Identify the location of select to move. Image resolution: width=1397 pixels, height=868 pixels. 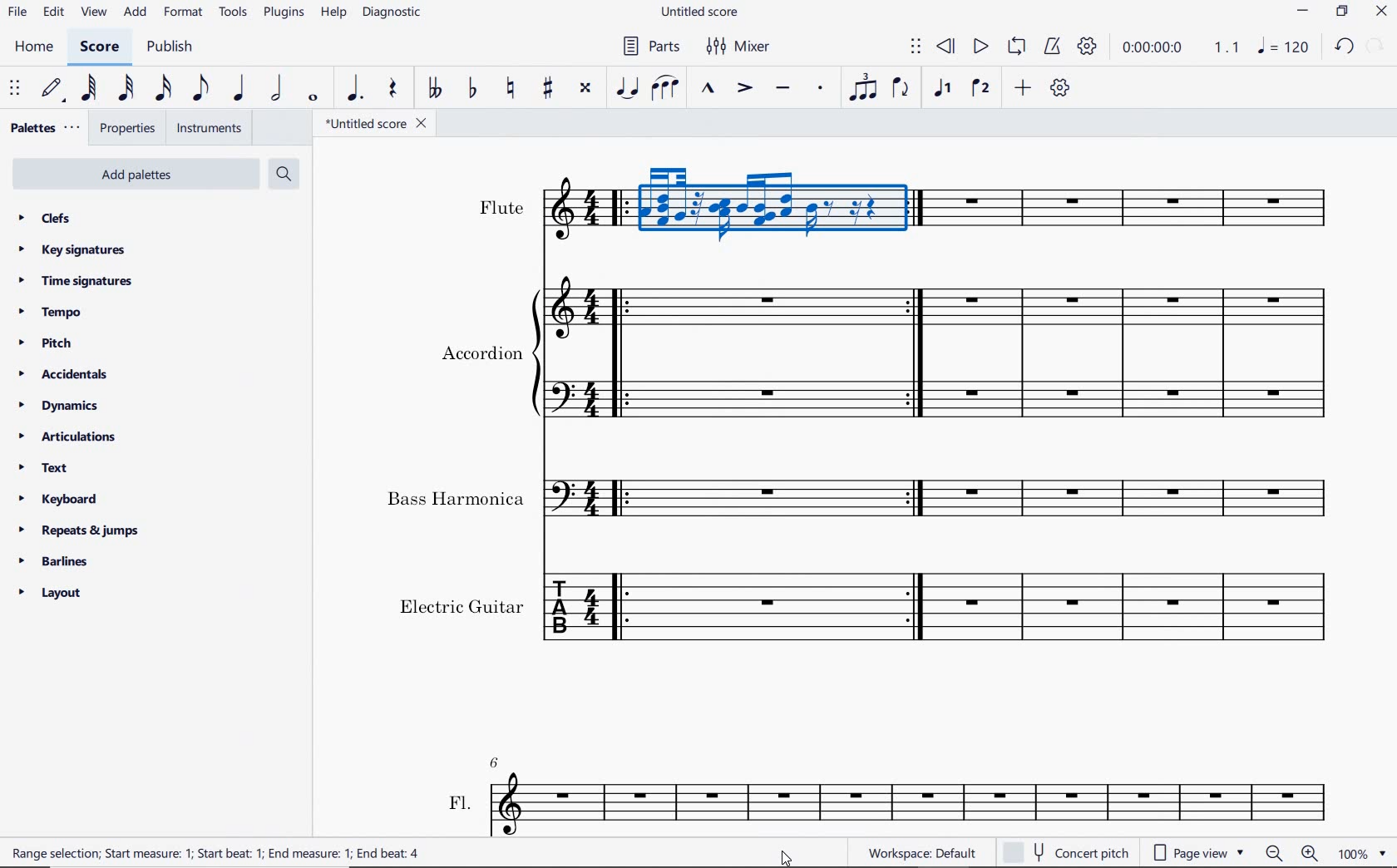
(13, 89).